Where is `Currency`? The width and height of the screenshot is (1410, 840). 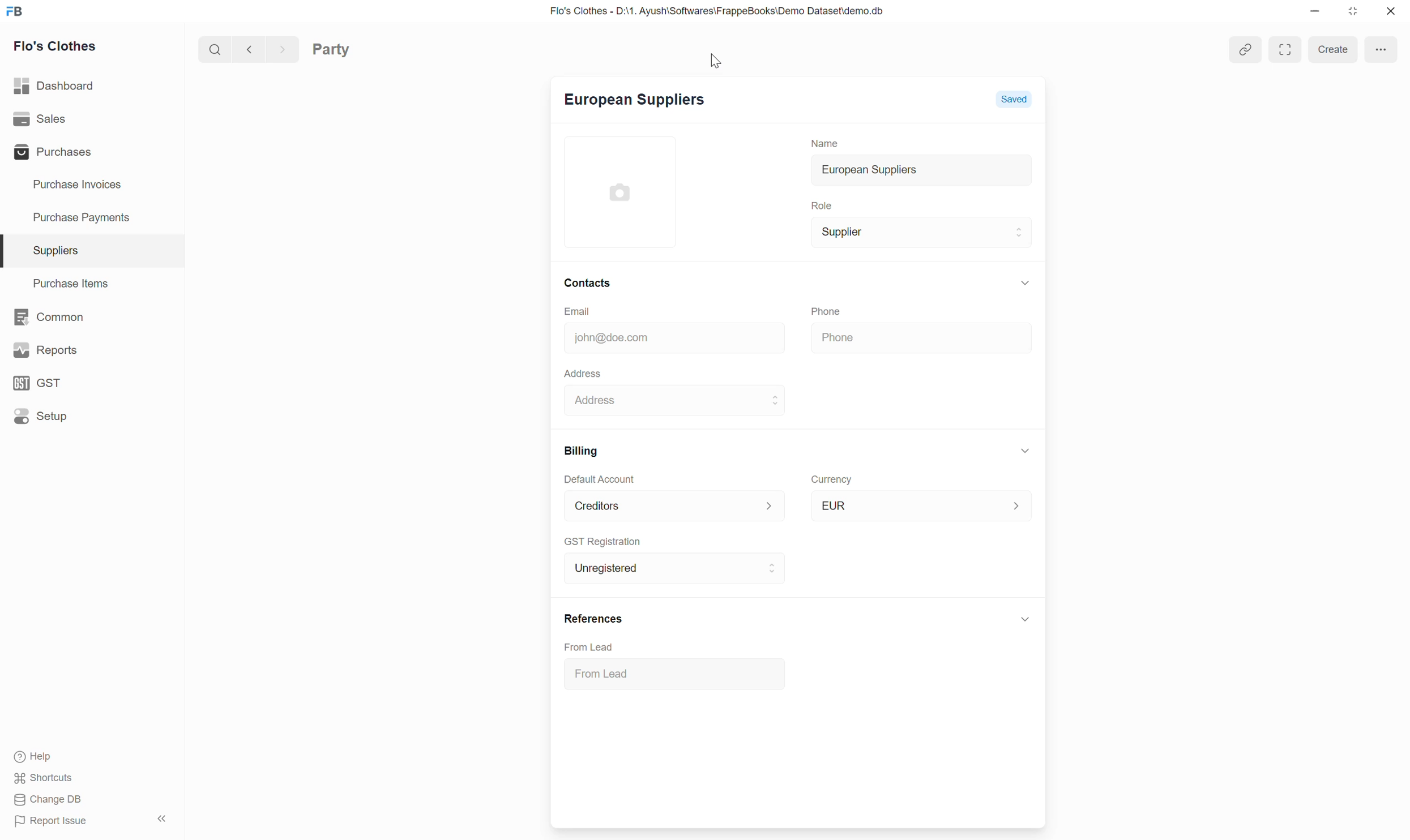
Currency is located at coordinates (828, 477).